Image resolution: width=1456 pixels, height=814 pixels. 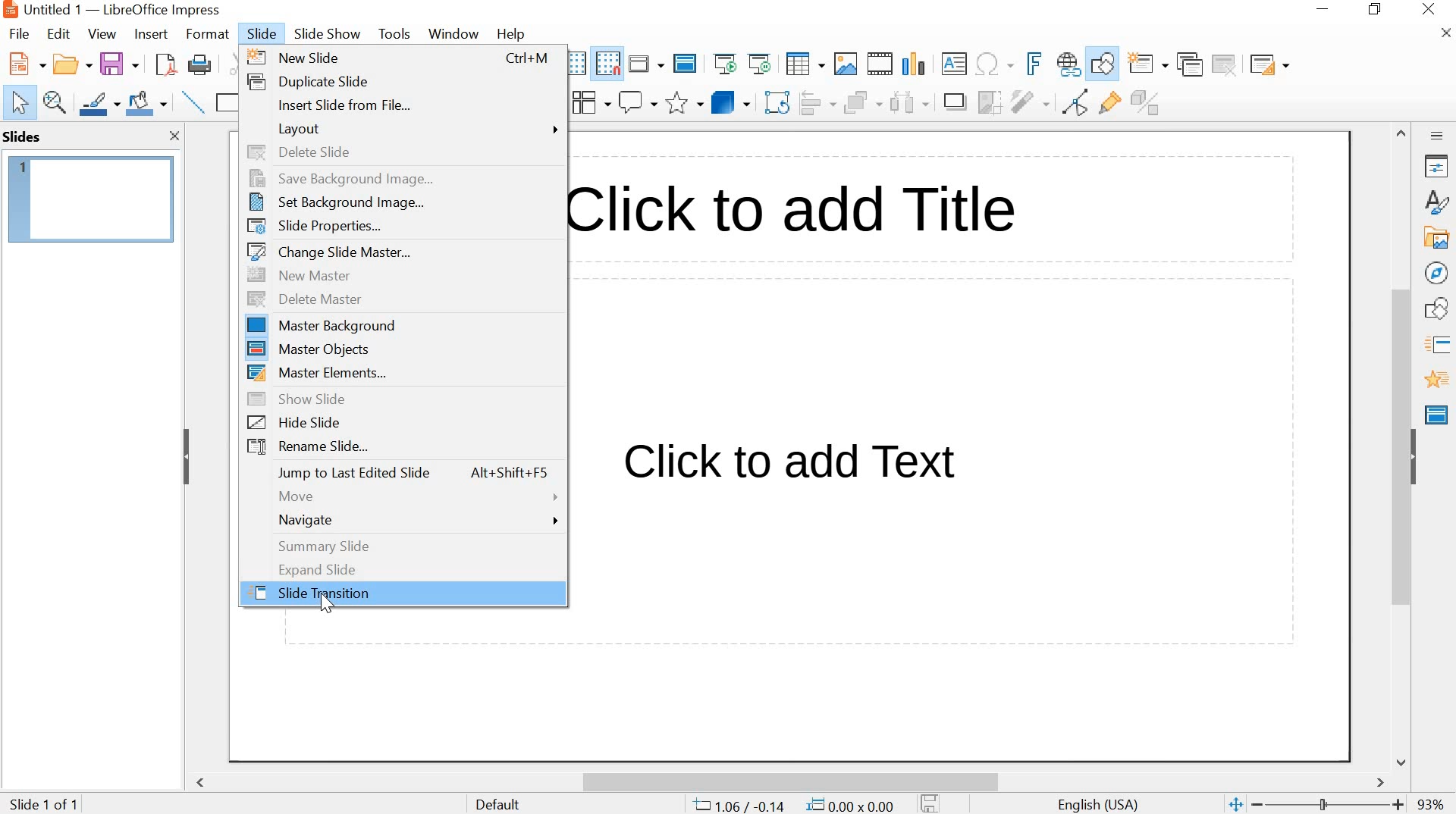 What do you see at coordinates (399, 252) in the screenshot?
I see `change slide master` at bounding box center [399, 252].